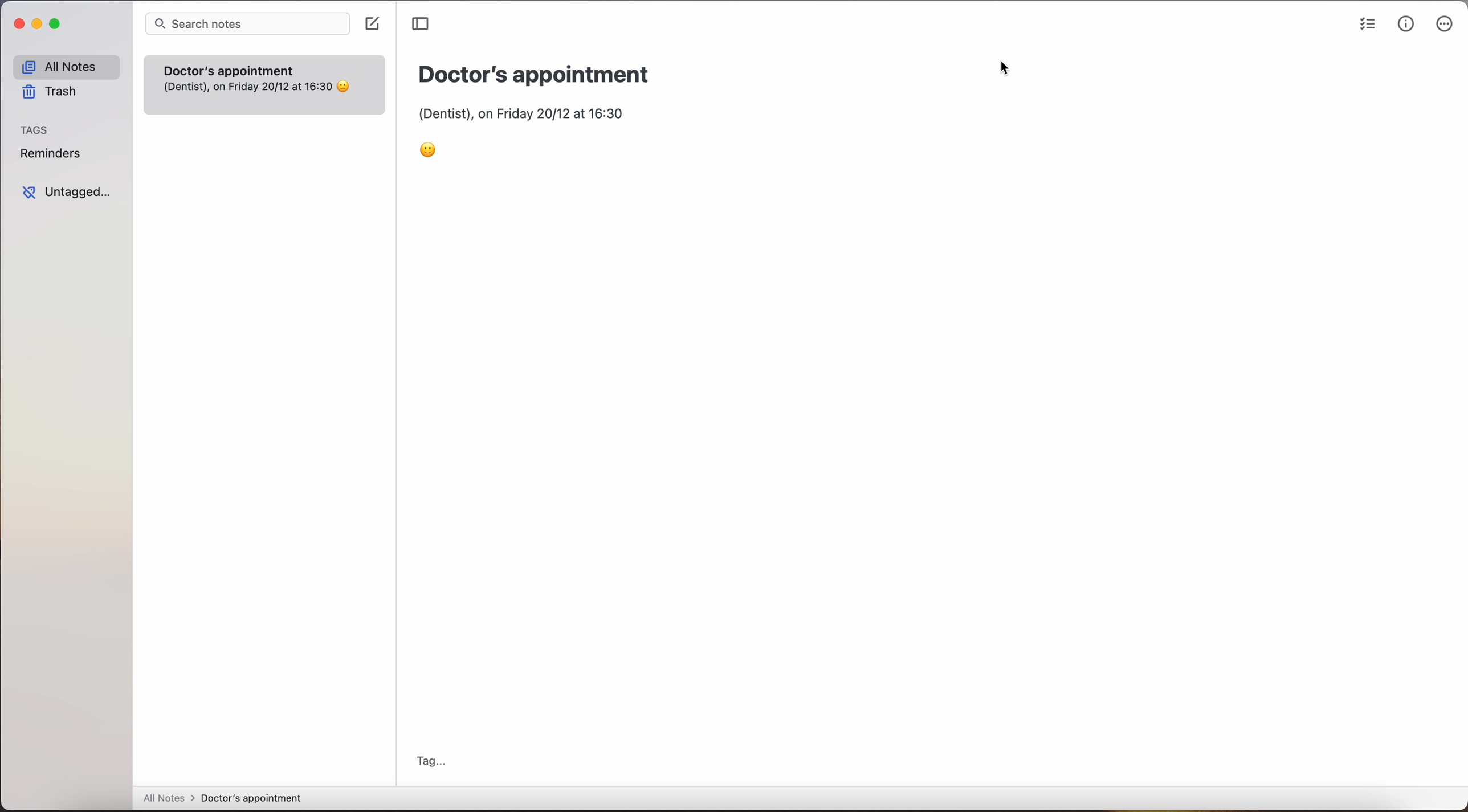 The image size is (1468, 812). Describe the element at coordinates (372, 24) in the screenshot. I see `create note` at that location.